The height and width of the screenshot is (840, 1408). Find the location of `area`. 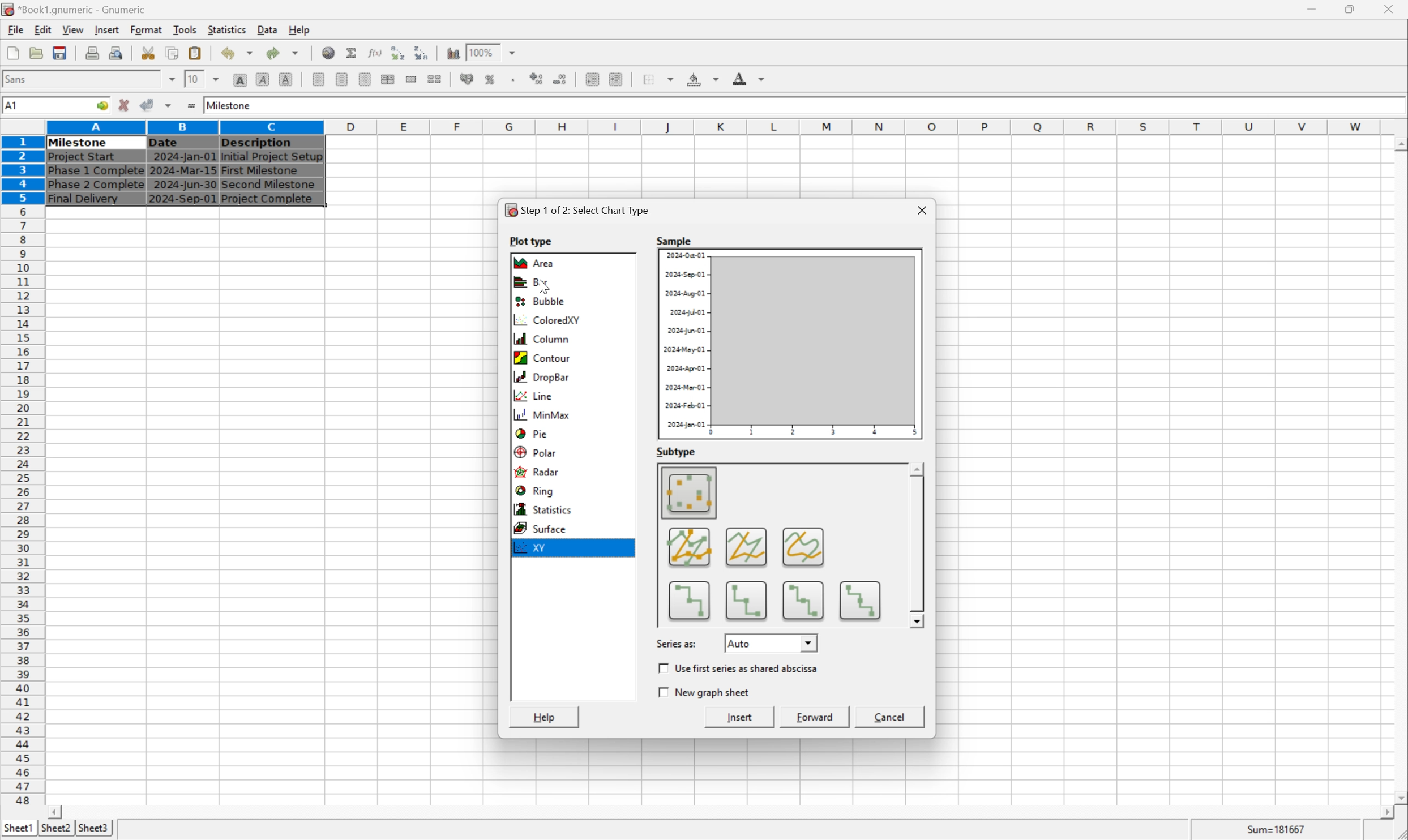

area is located at coordinates (537, 263).